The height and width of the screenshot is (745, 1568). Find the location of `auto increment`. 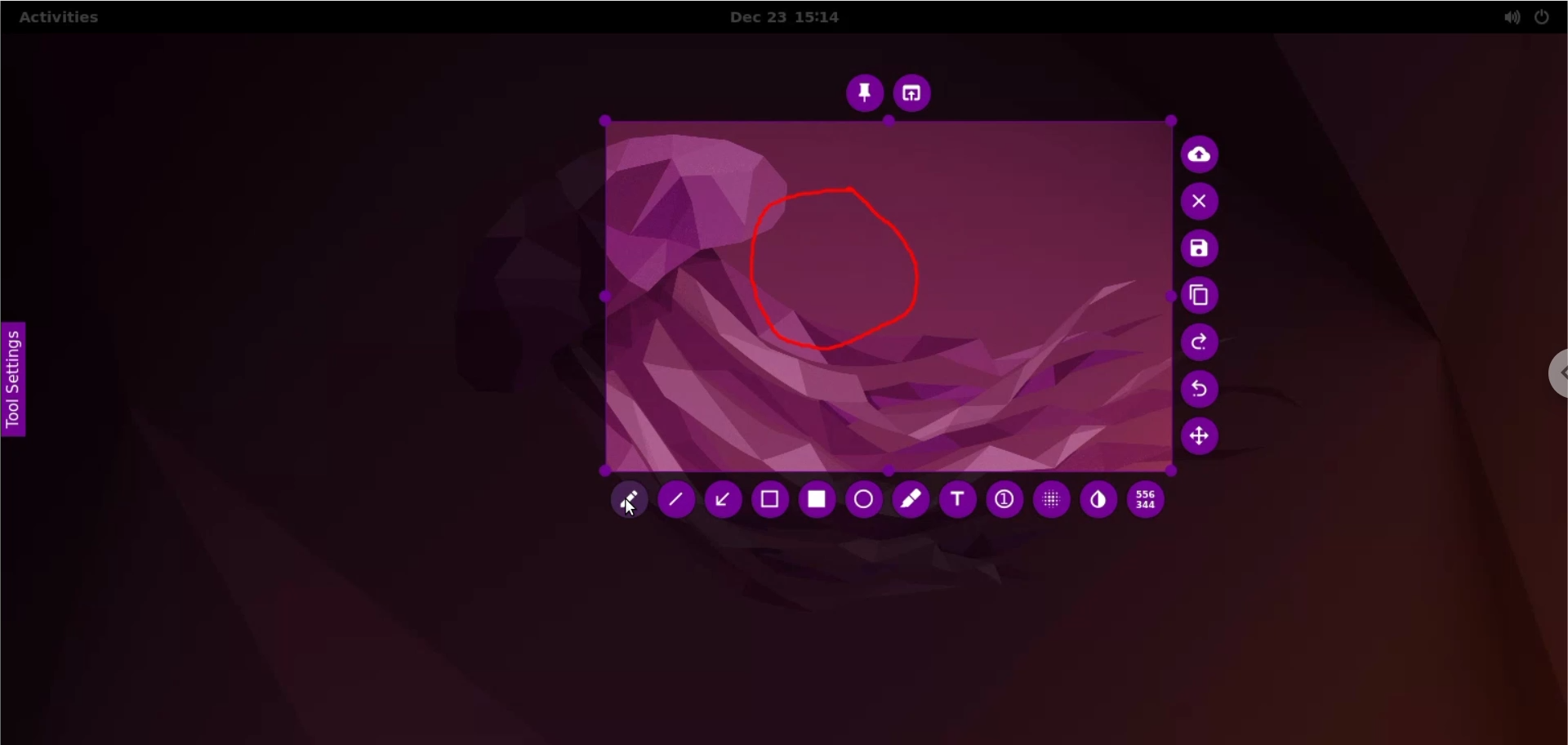

auto increment is located at coordinates (1004, 499).